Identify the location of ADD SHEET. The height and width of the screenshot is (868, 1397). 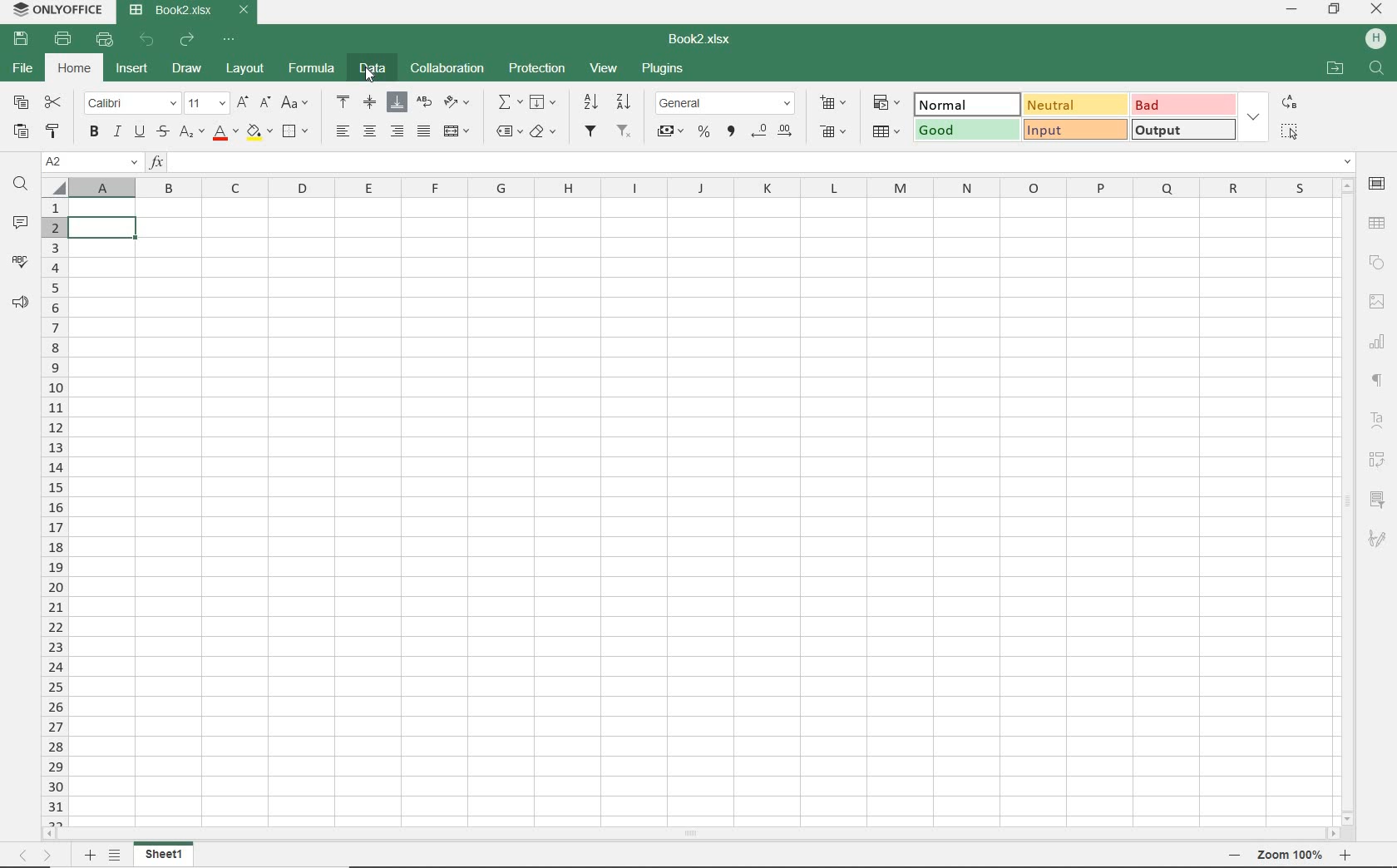
(90, 856).